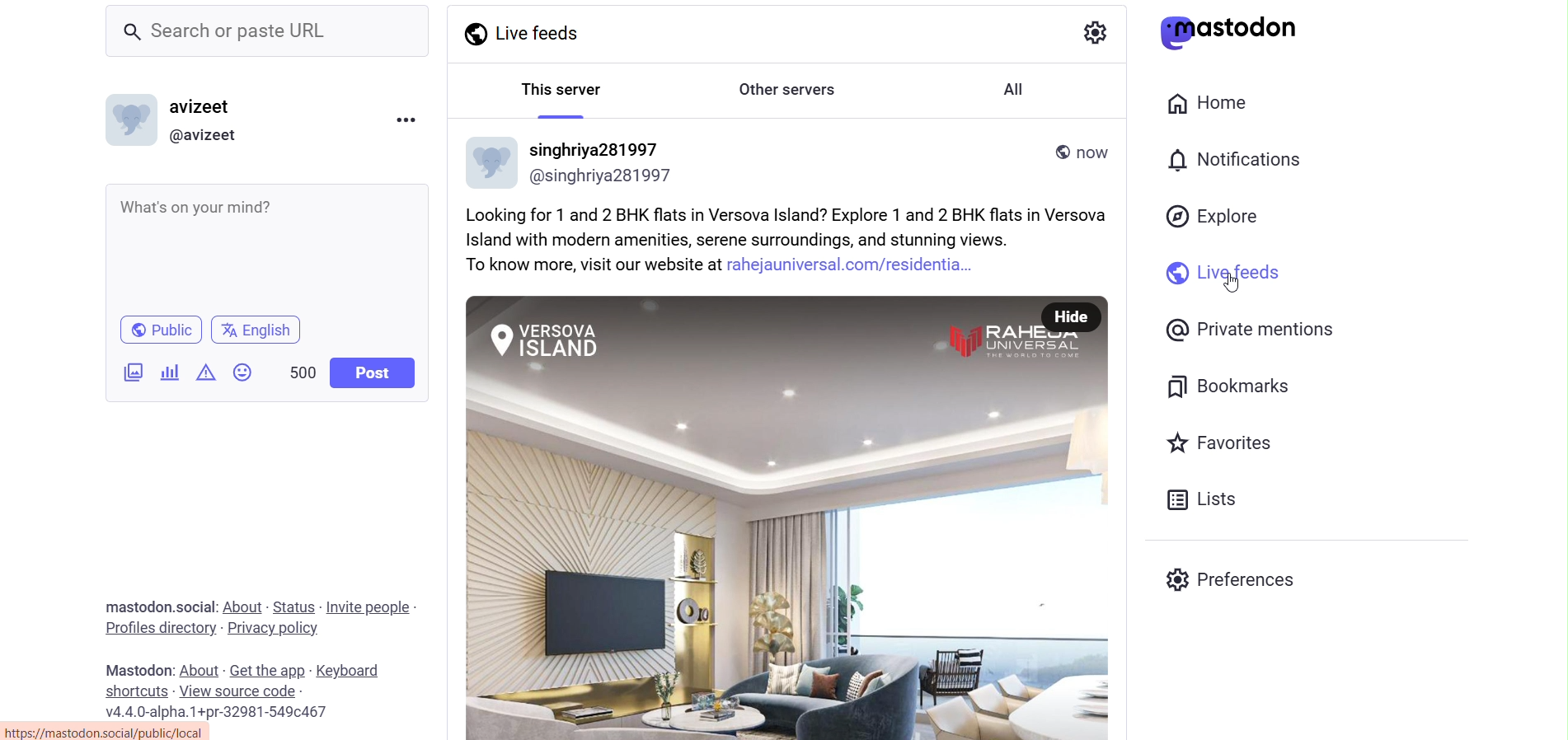 The image size is (1568, 740). What do you see at coordinates (203, 108) in the screenshot?
I see `name` at bounding box center [203, 108].